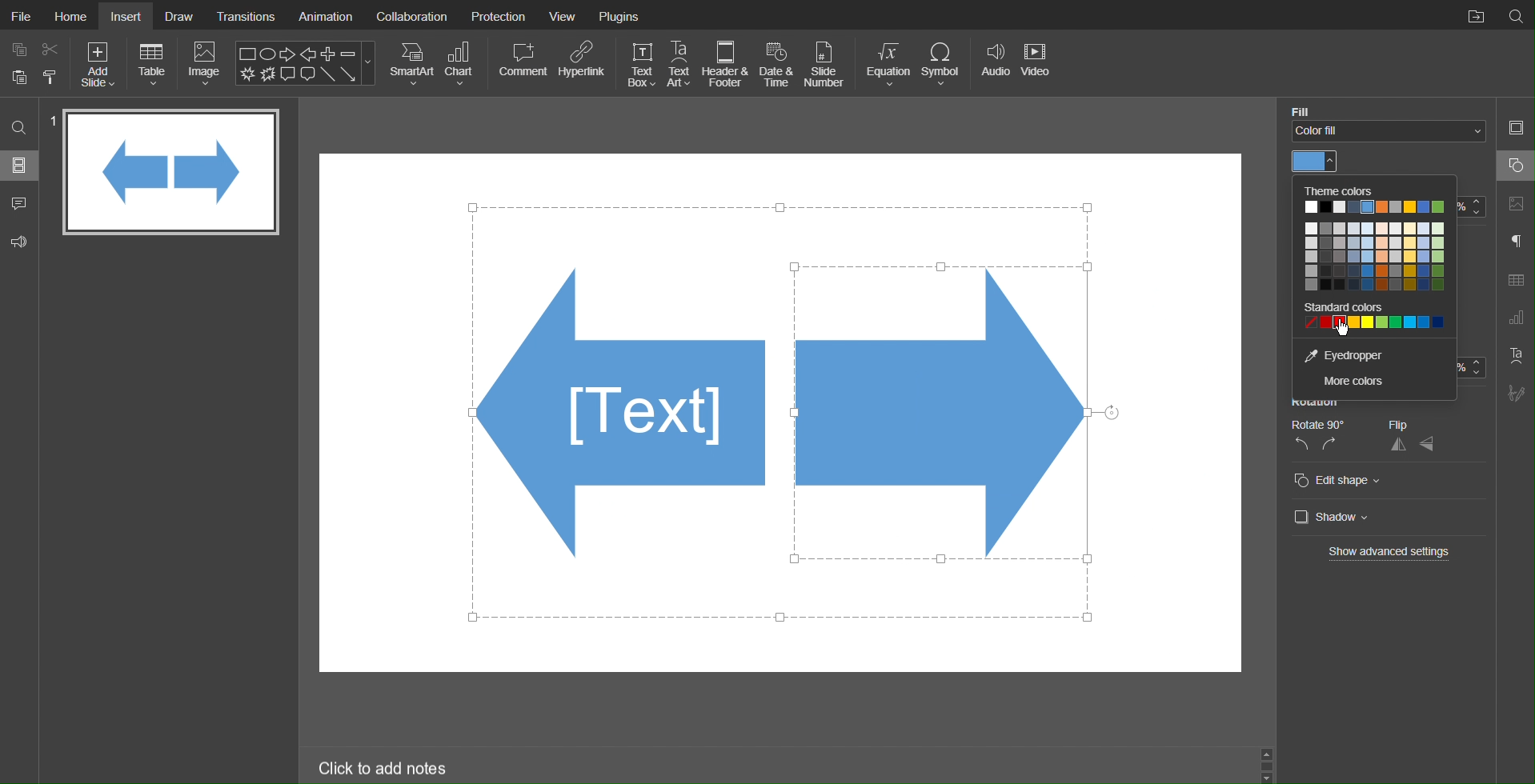  I want to click on Edit Shape, so click(1347, 481).